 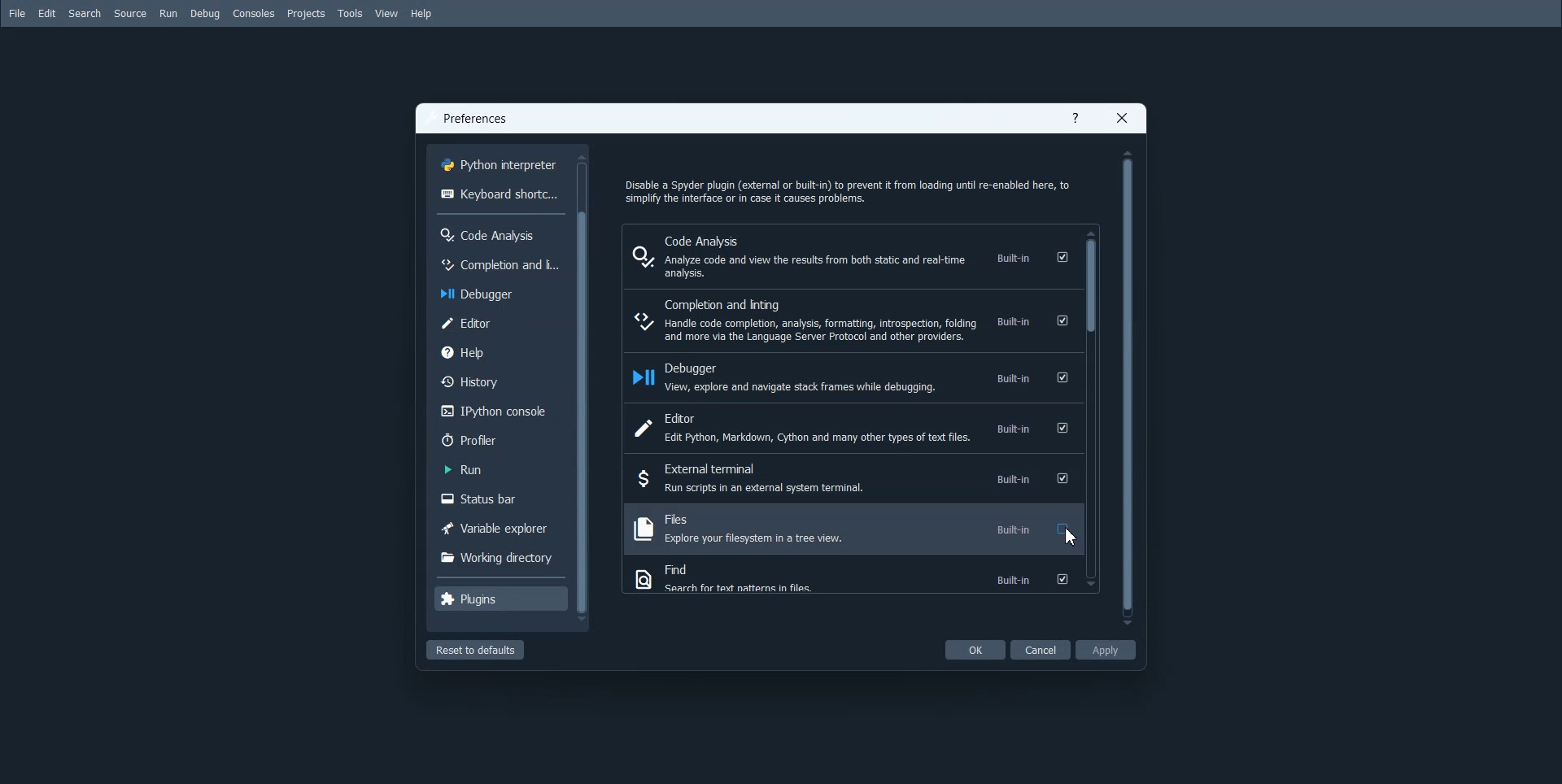 What do you see at coordinates (46, 14) in the screenshot?
I see `Edit` at bounding box center [46, 14].